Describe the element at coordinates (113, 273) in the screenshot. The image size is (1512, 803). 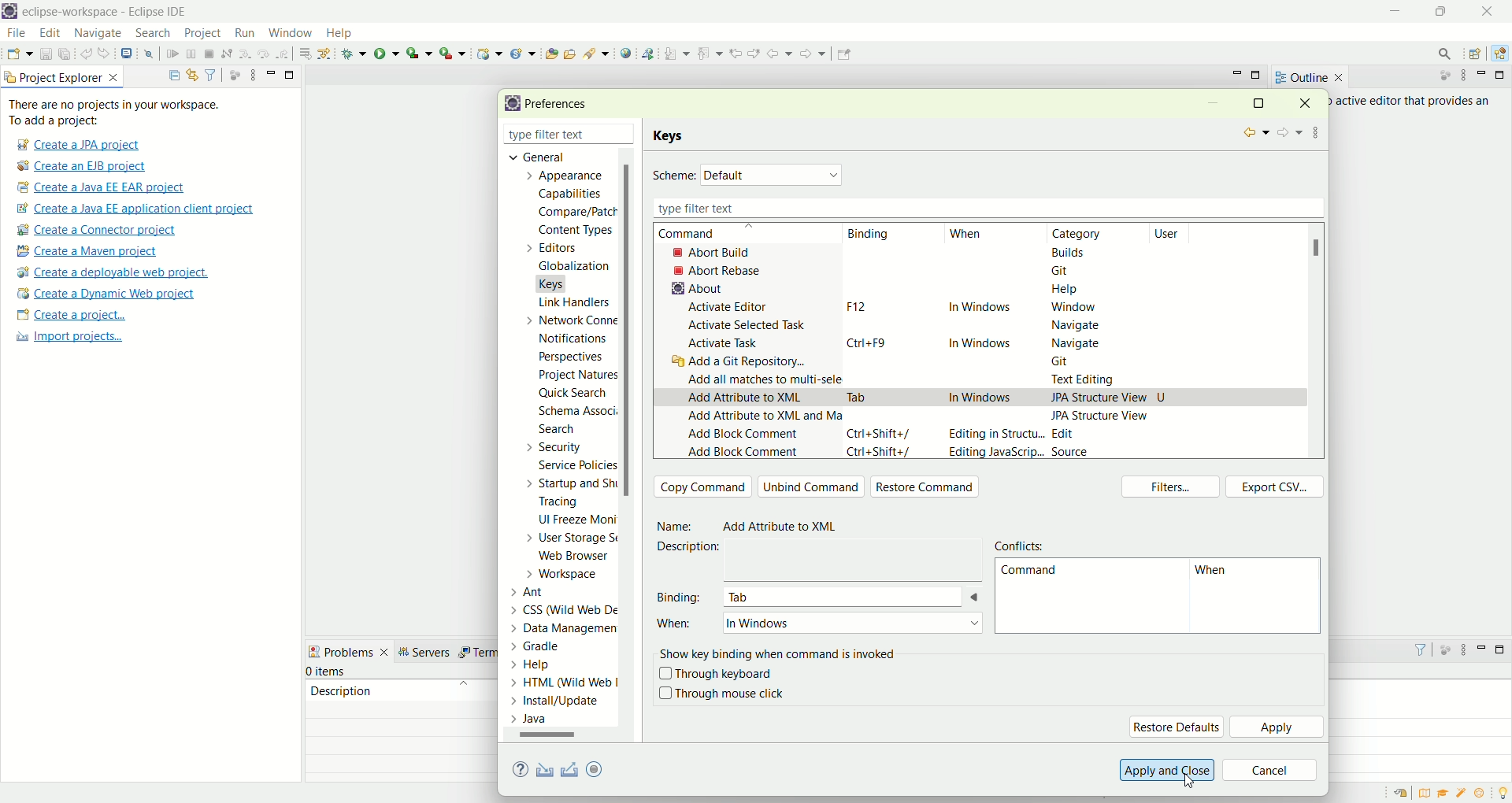
I see `create a deployable web project` at that location.